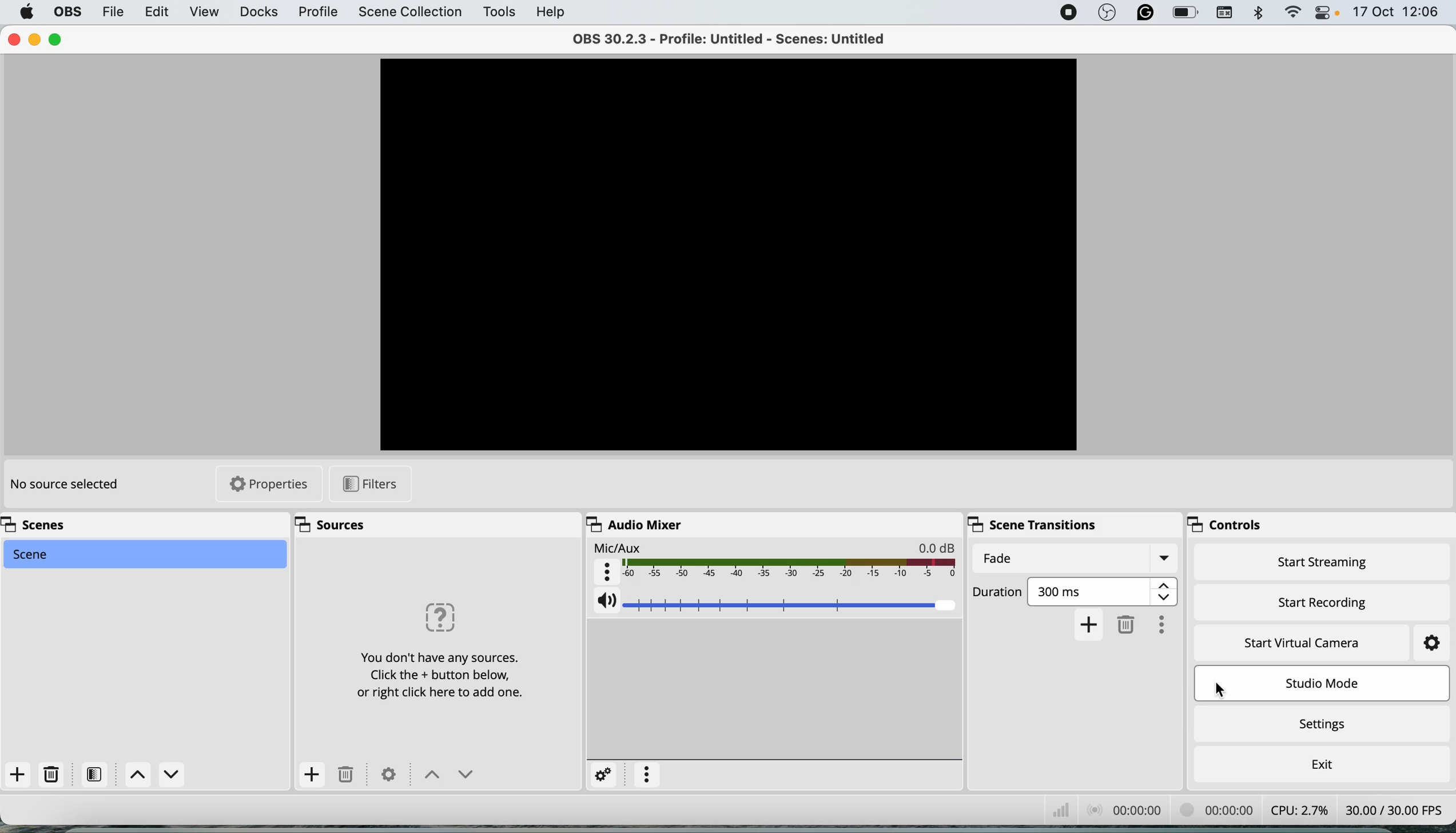 This screenshot has width=1456, height=833. What do you see at coordinates (775, 561) in the screenshot?
I see `mic aux audio` at bounding box center [775, 561].